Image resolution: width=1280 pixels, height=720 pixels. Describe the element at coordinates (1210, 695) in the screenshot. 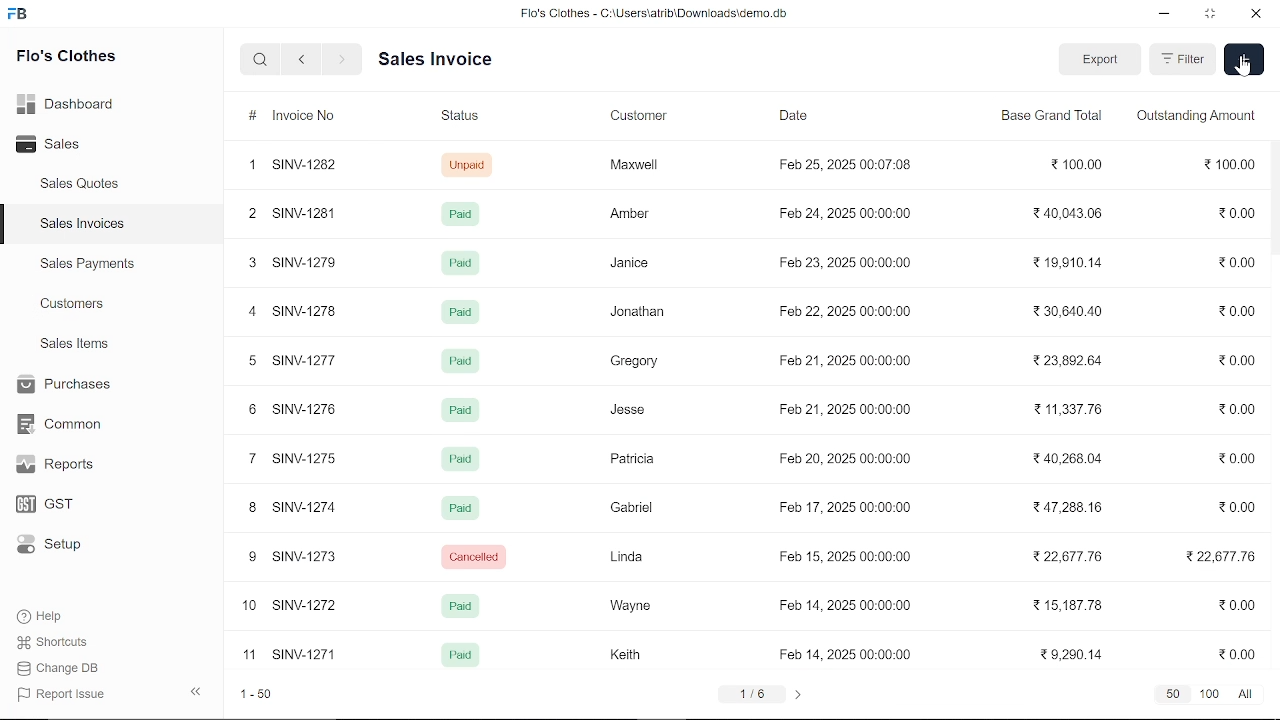

I see `100` at that location.